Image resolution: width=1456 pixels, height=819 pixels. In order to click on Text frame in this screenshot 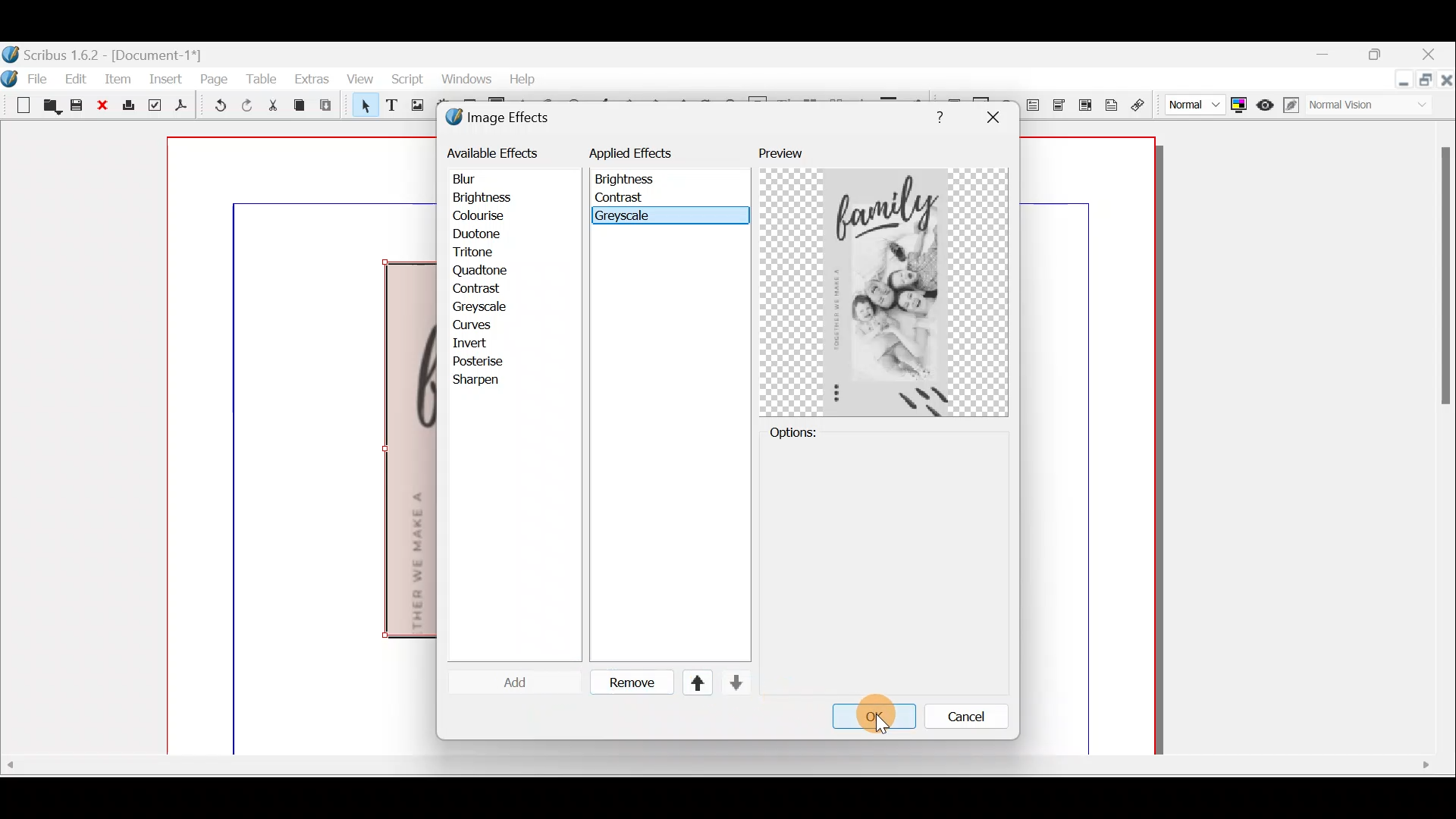, I will do `click(394, 107)`.